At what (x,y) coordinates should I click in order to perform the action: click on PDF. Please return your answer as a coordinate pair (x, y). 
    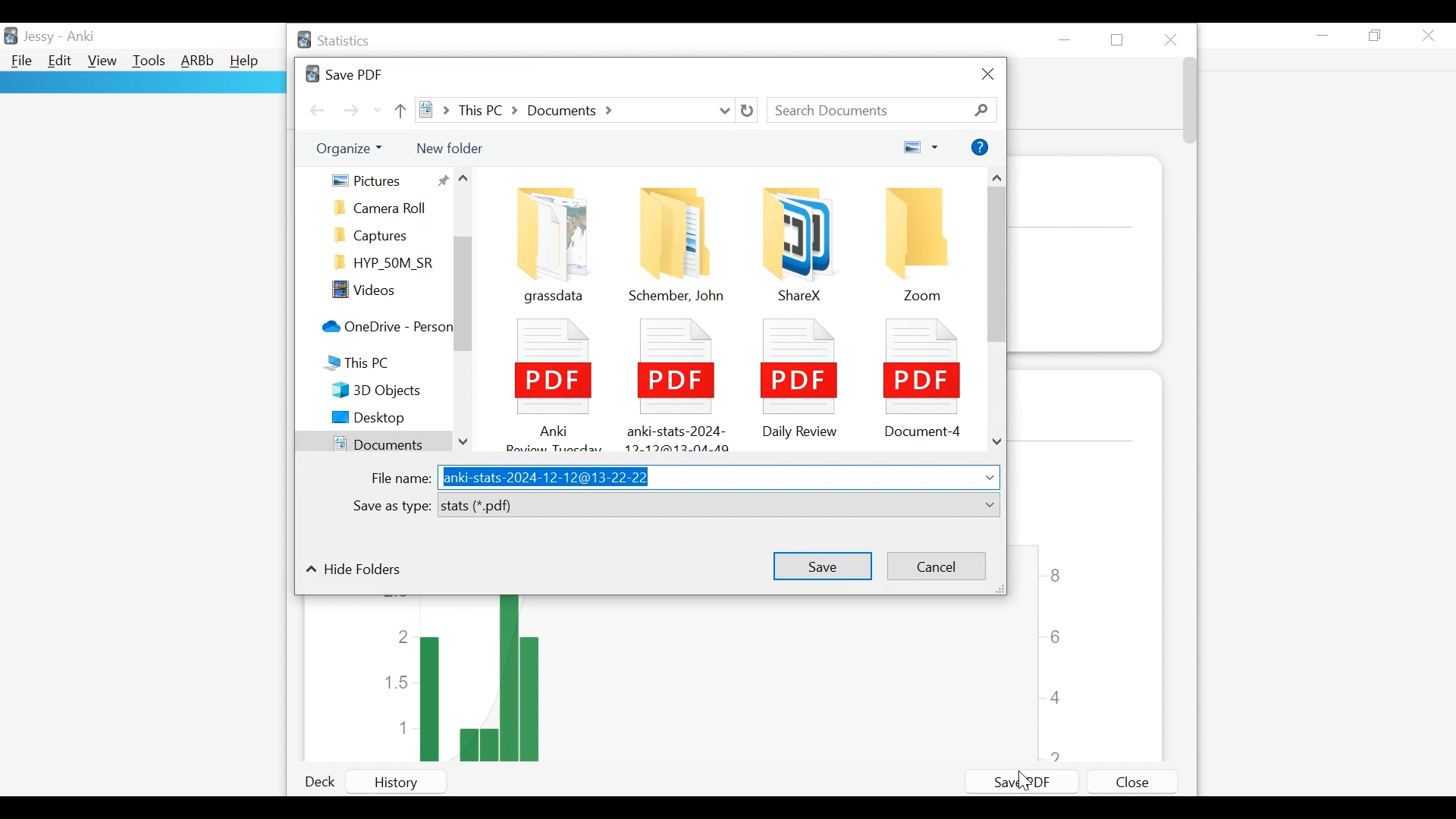
    Looking at the image, I should click on (550, 380).